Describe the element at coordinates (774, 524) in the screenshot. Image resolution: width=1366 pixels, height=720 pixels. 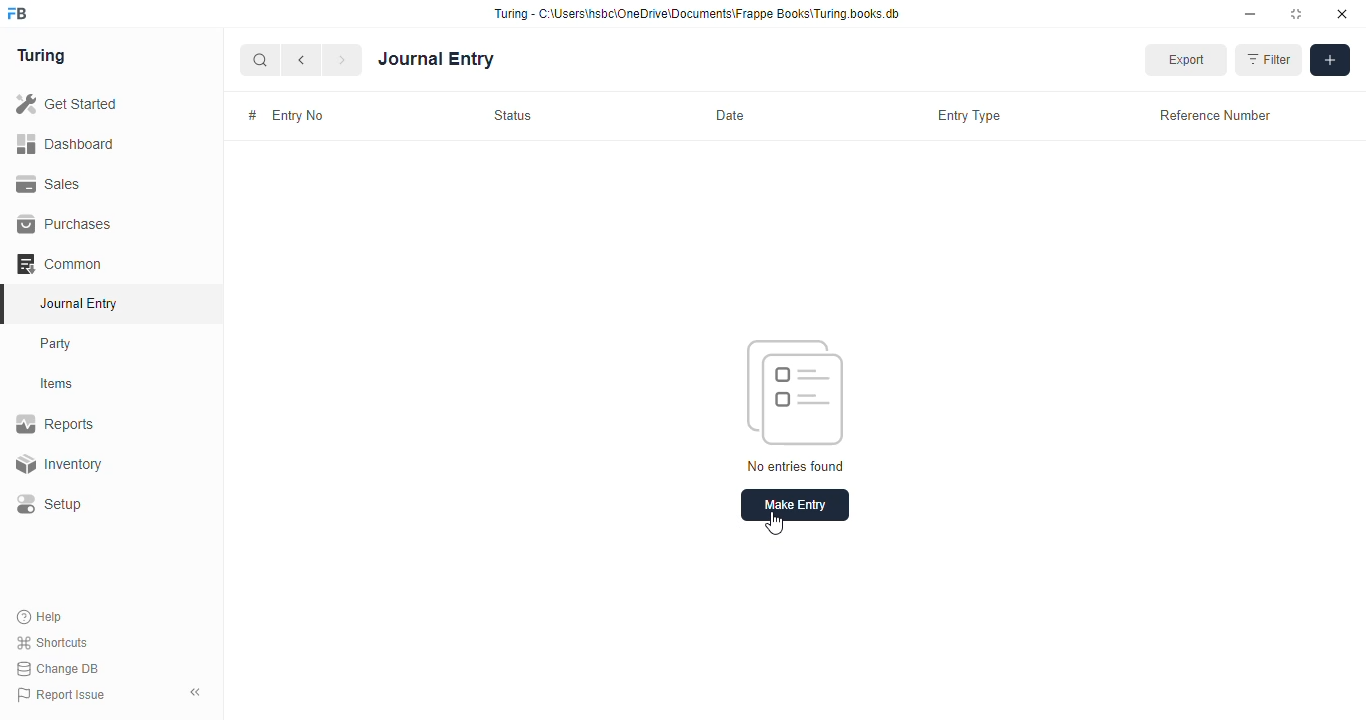
I see `cursor` at that location.